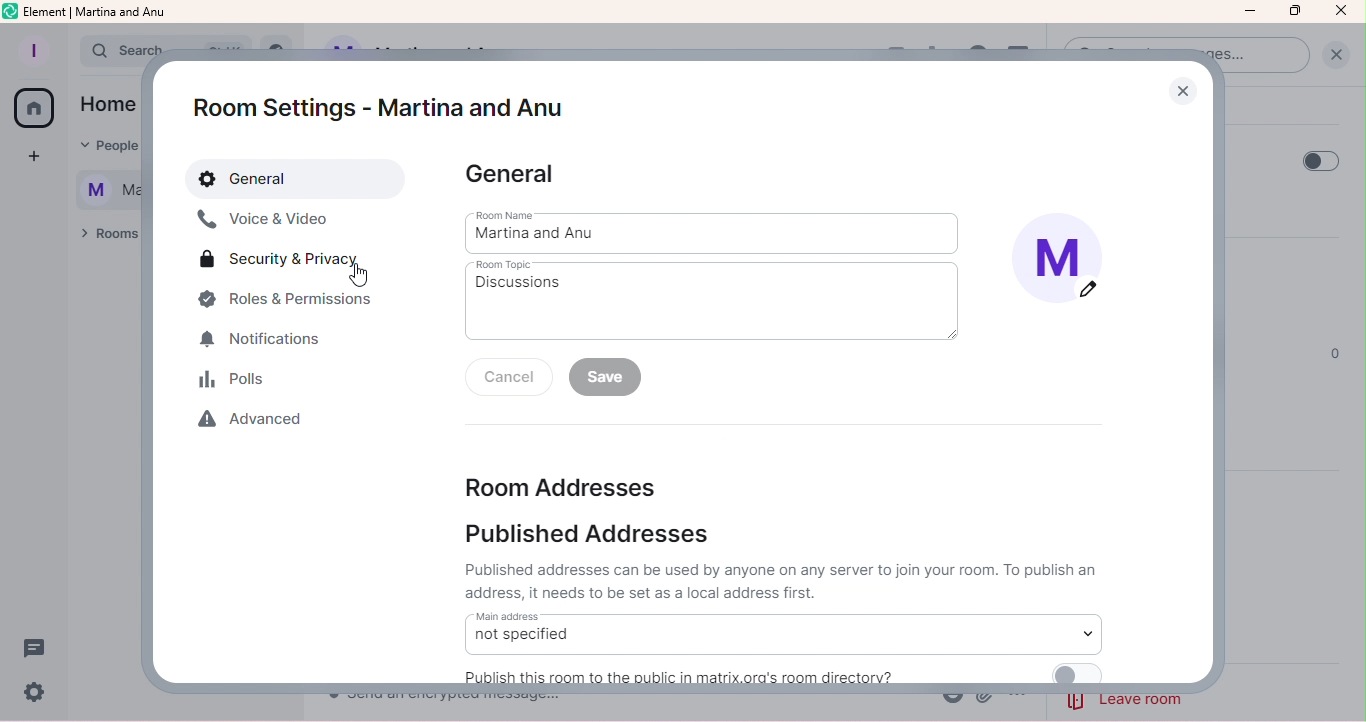 The height and width of the screenshot is (722, 1366). What do you see at coordinates (32, 52) in the screenshot?
I see `Profile` at bounding box center [32, 52].